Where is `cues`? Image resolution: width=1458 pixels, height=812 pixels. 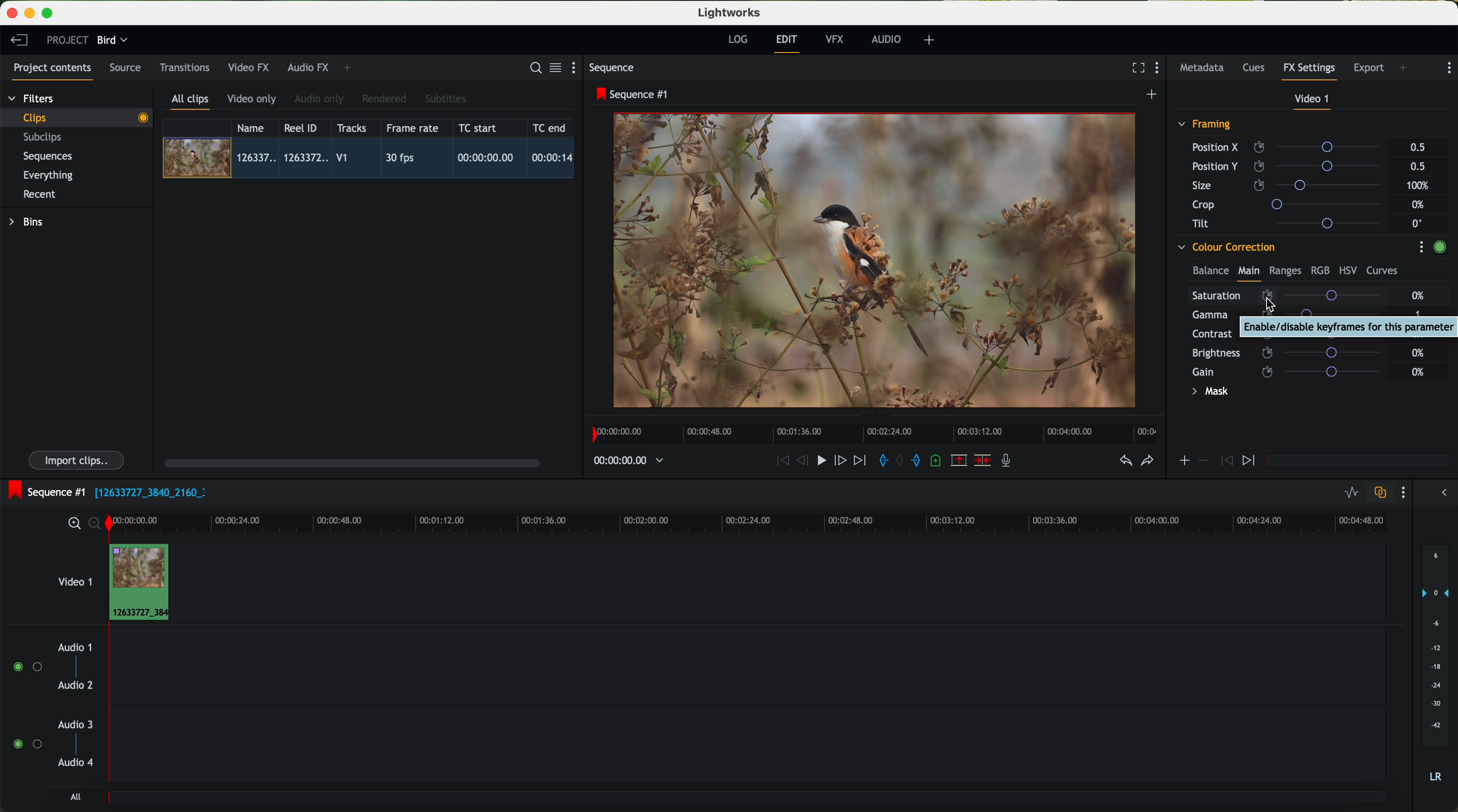 cues is located at coordinates (1257, 68).